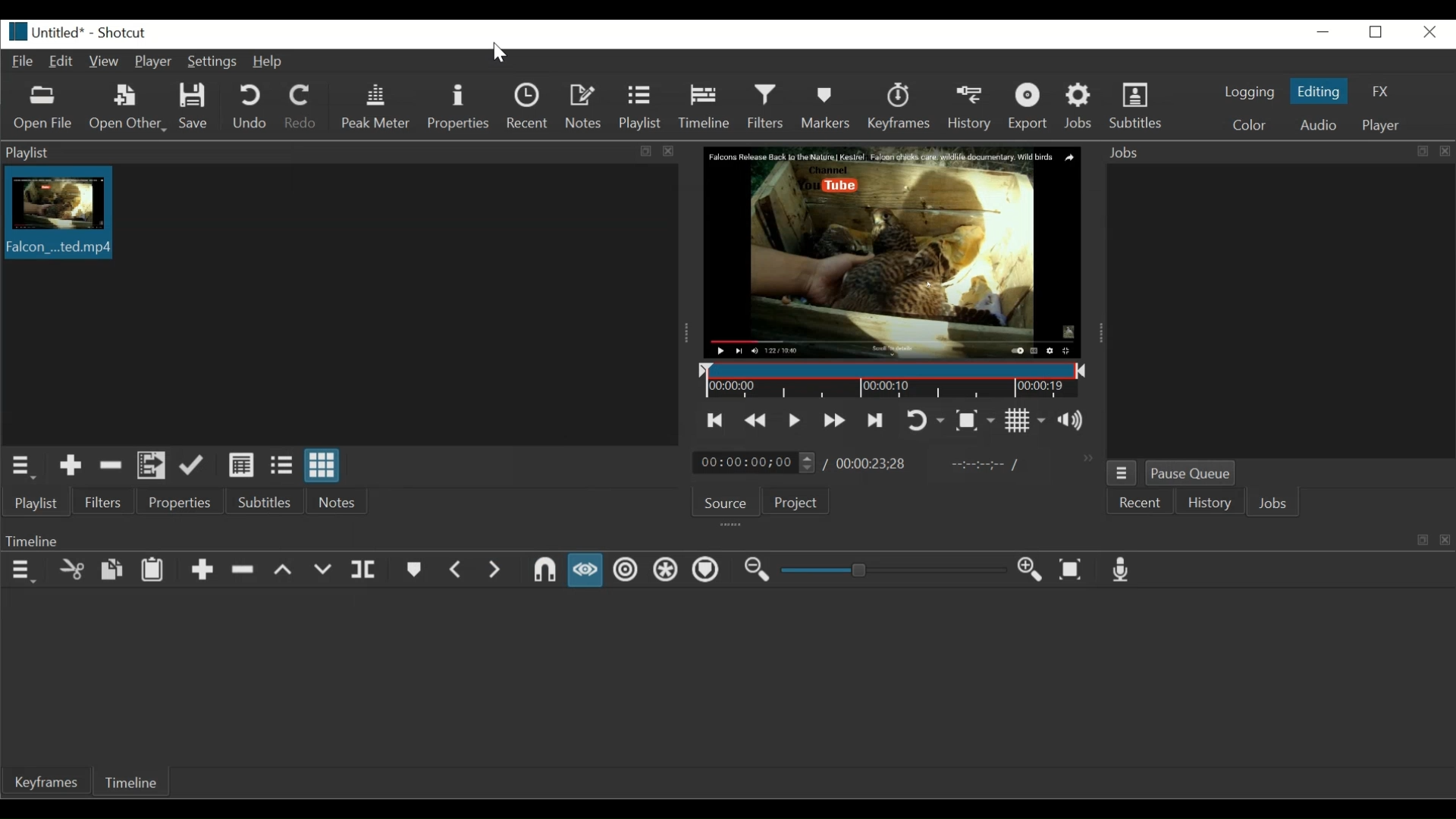 This screenshot has height=819, width=1456. I want to click on Playlist, so click(338, 152).